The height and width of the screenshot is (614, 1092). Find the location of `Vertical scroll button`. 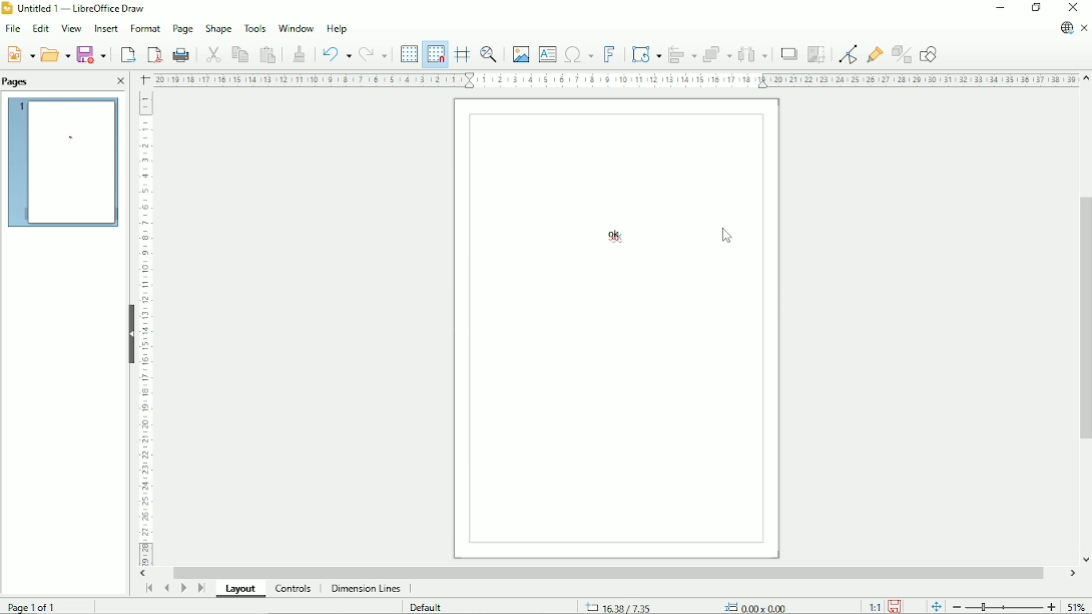

Vertical scroll button is located at coordinates (1084, 560).